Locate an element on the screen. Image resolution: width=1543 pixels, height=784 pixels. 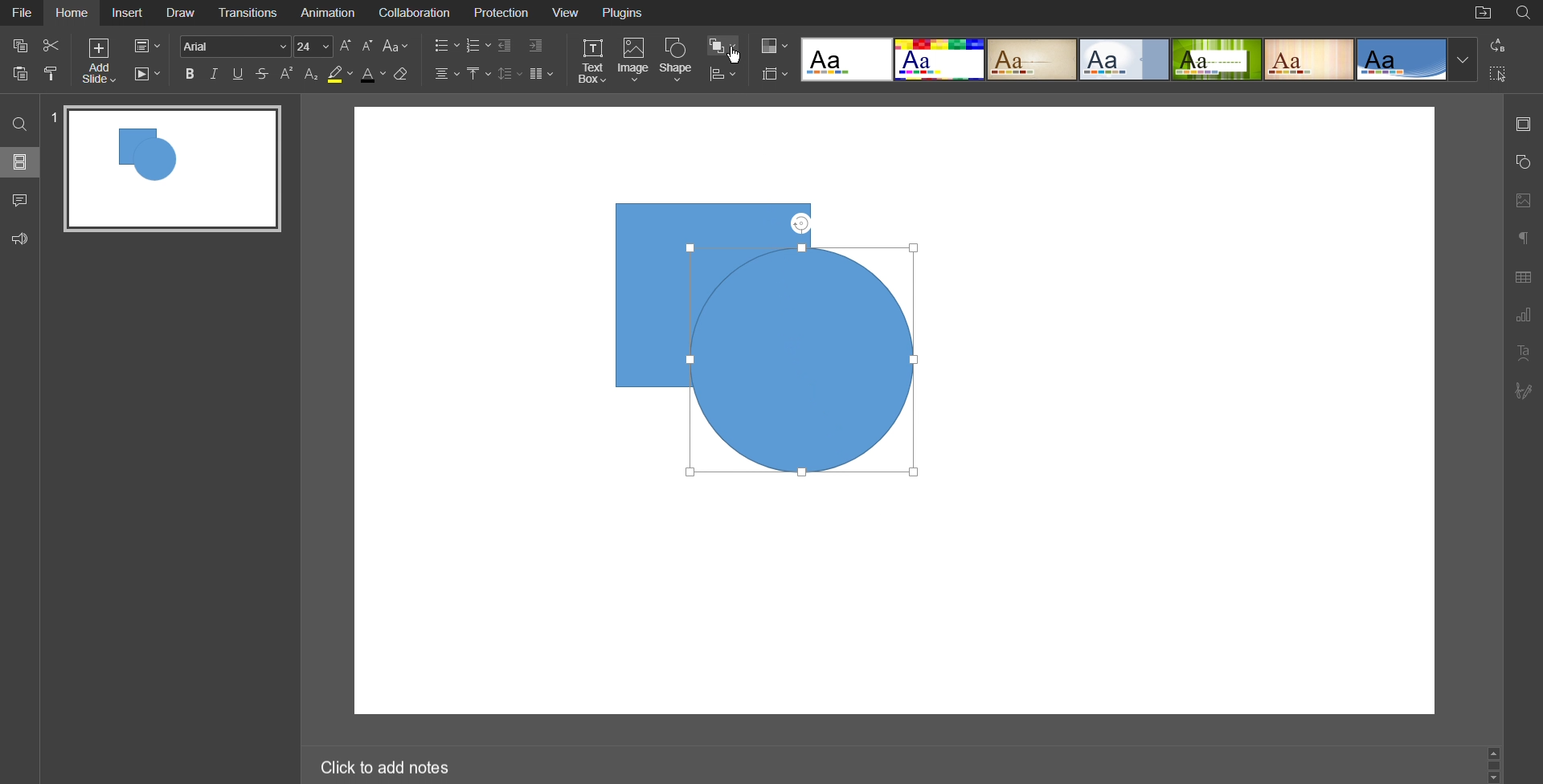
Office is located at coordinates (1403, 59).